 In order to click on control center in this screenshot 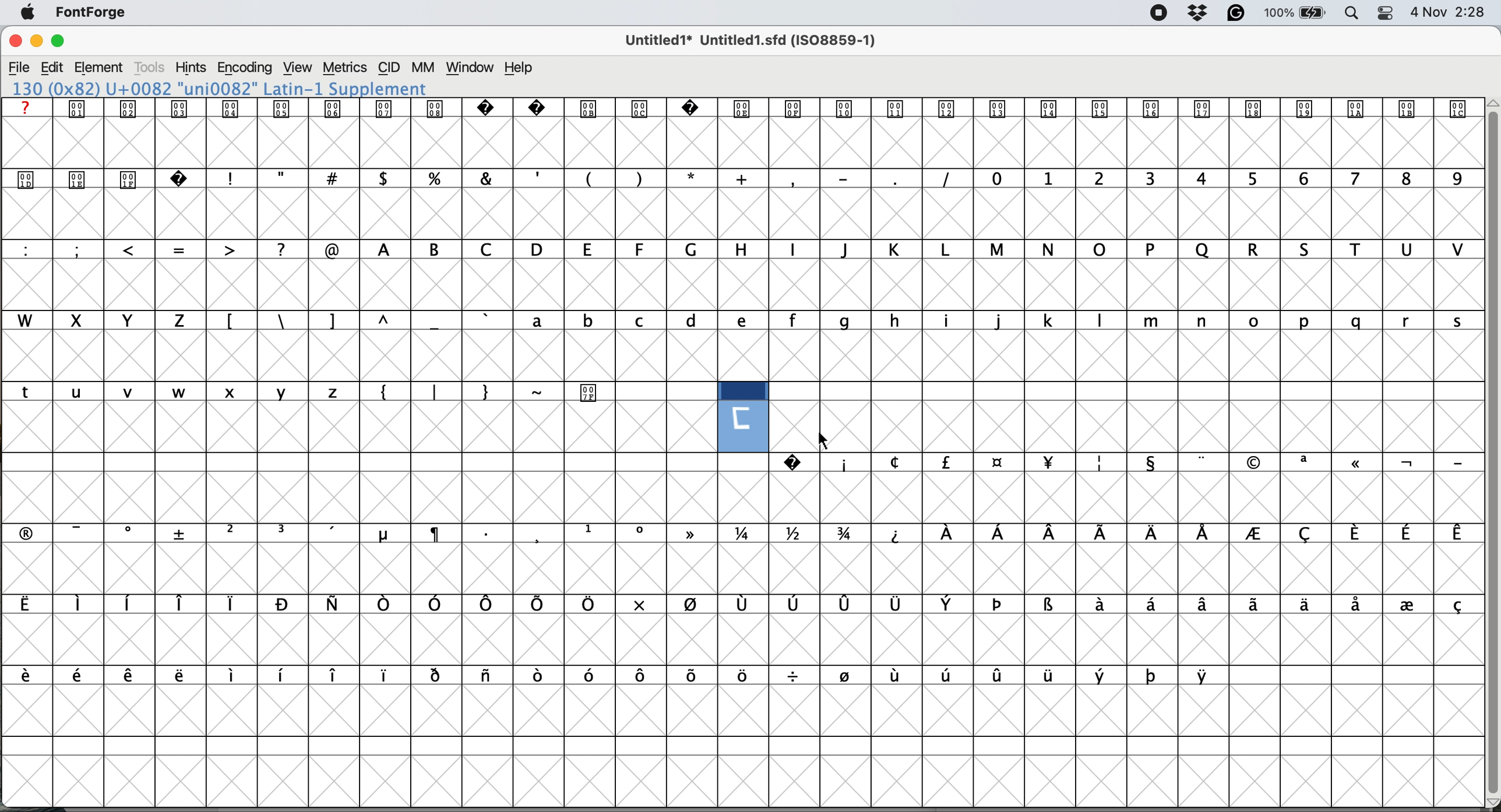, I will do `click(1384, 13)`.